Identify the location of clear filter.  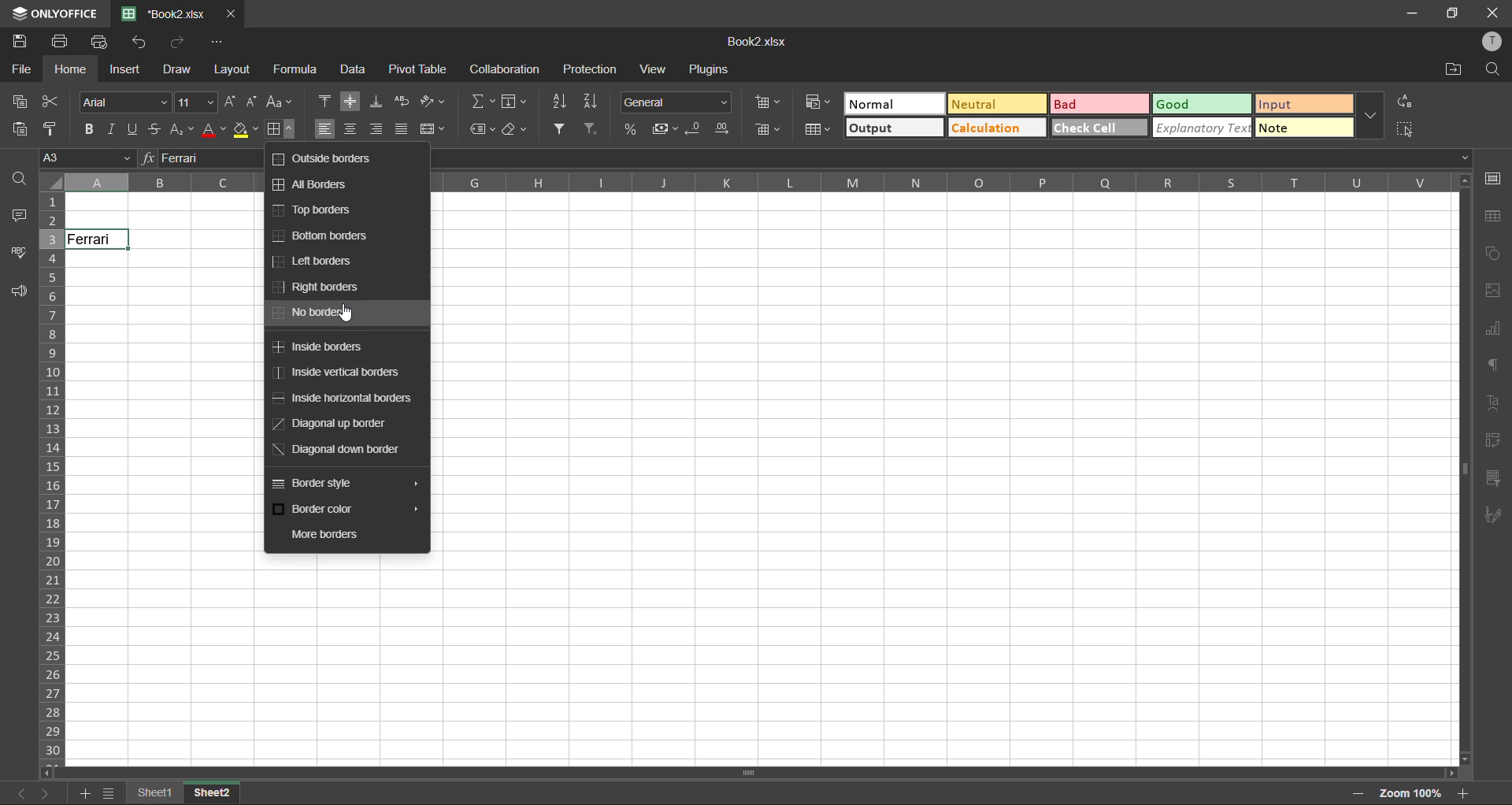
(593, 129).